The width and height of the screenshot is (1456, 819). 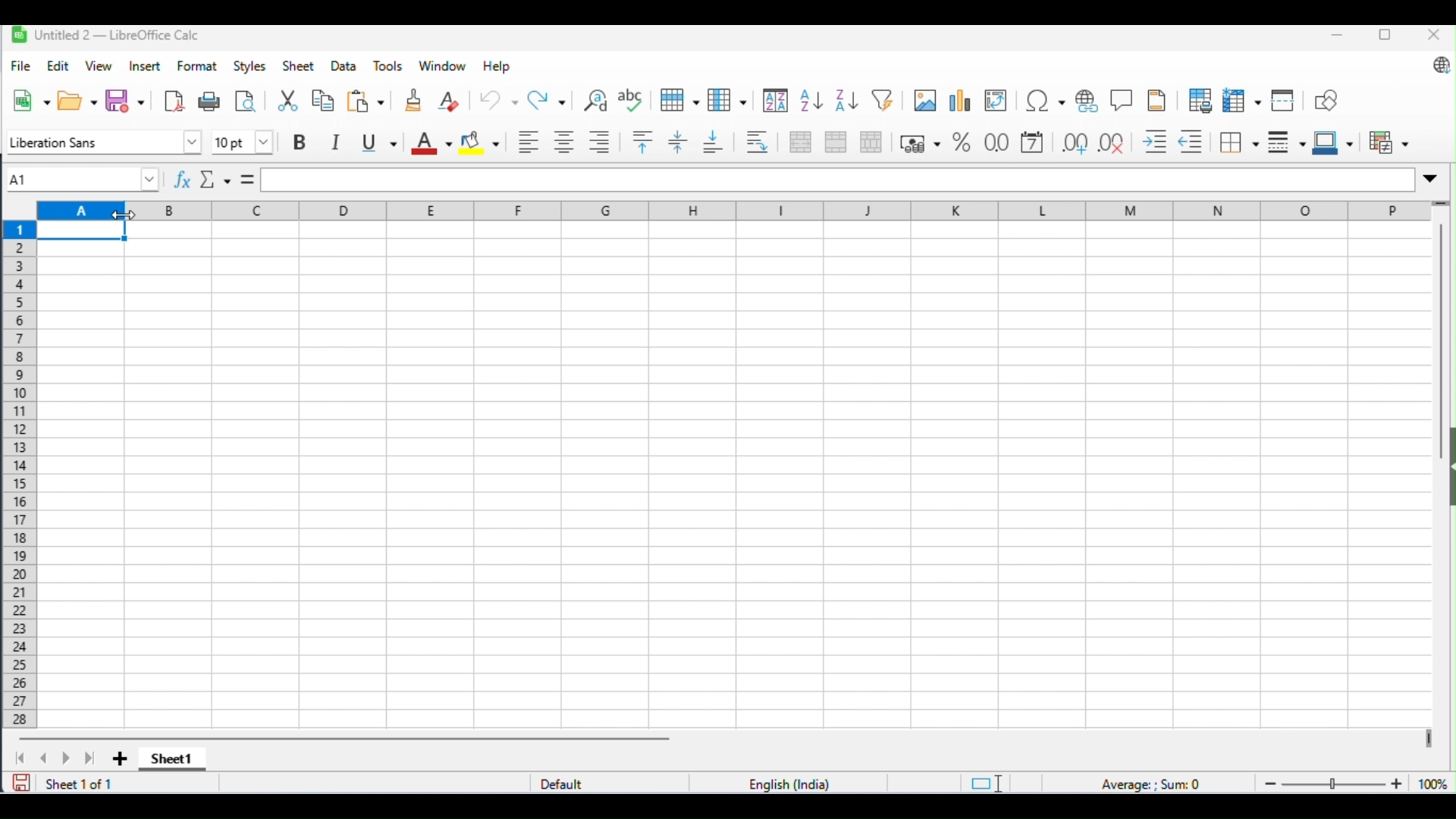 I want to click on file, so click(x=21, y=66).